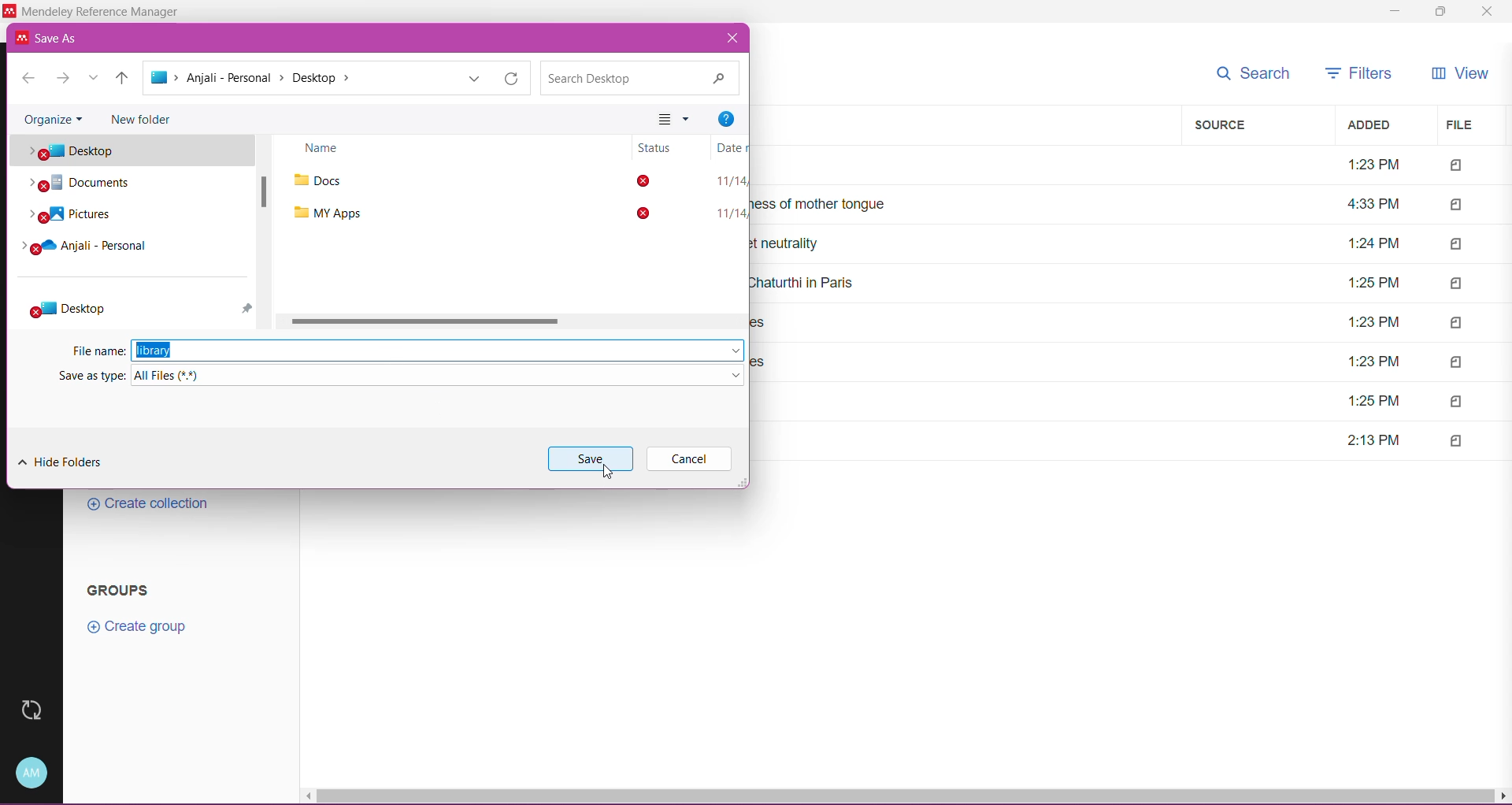 The image size is (1512, 805). What do you see at coordinates (734, 39) in the screenshot?
I see `Close` at bounding box center [734, 39].